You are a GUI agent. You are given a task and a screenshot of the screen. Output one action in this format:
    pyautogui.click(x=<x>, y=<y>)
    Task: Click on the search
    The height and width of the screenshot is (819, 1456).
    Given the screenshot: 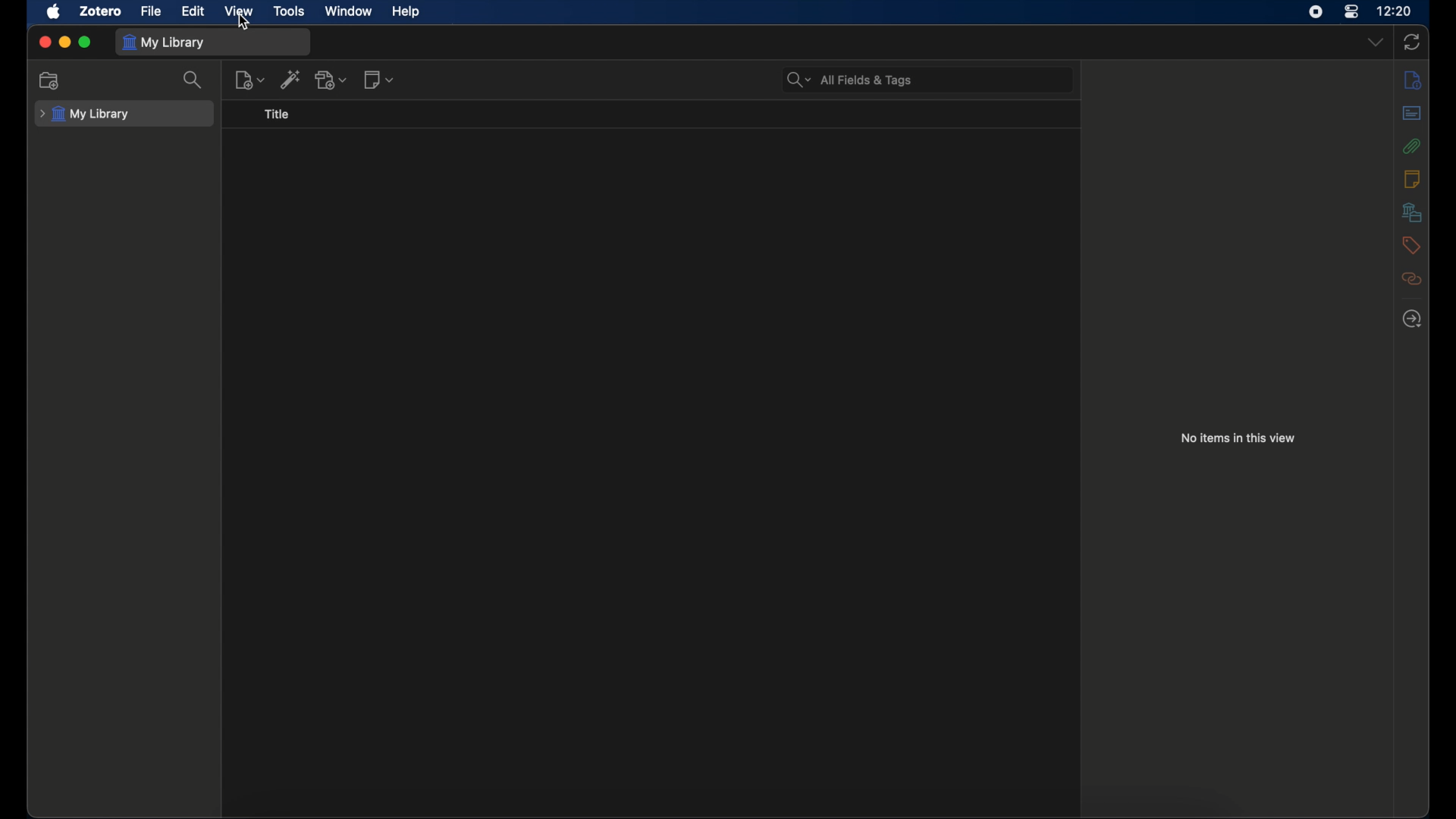 What is the action you would take?
    pyautogui.click(x=193, y=80)
    